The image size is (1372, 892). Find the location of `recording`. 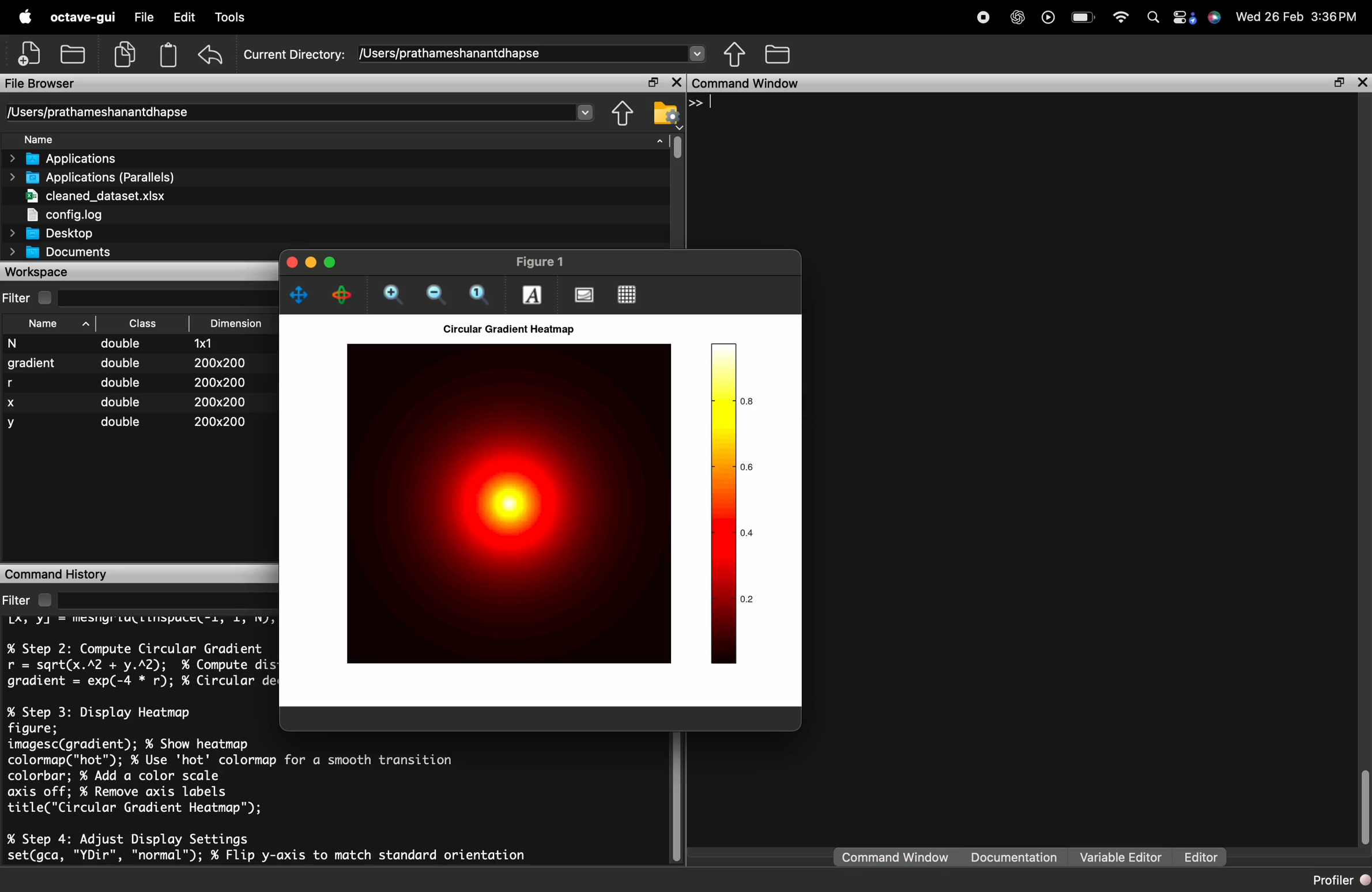

recording is located at coordinates (986, 17).